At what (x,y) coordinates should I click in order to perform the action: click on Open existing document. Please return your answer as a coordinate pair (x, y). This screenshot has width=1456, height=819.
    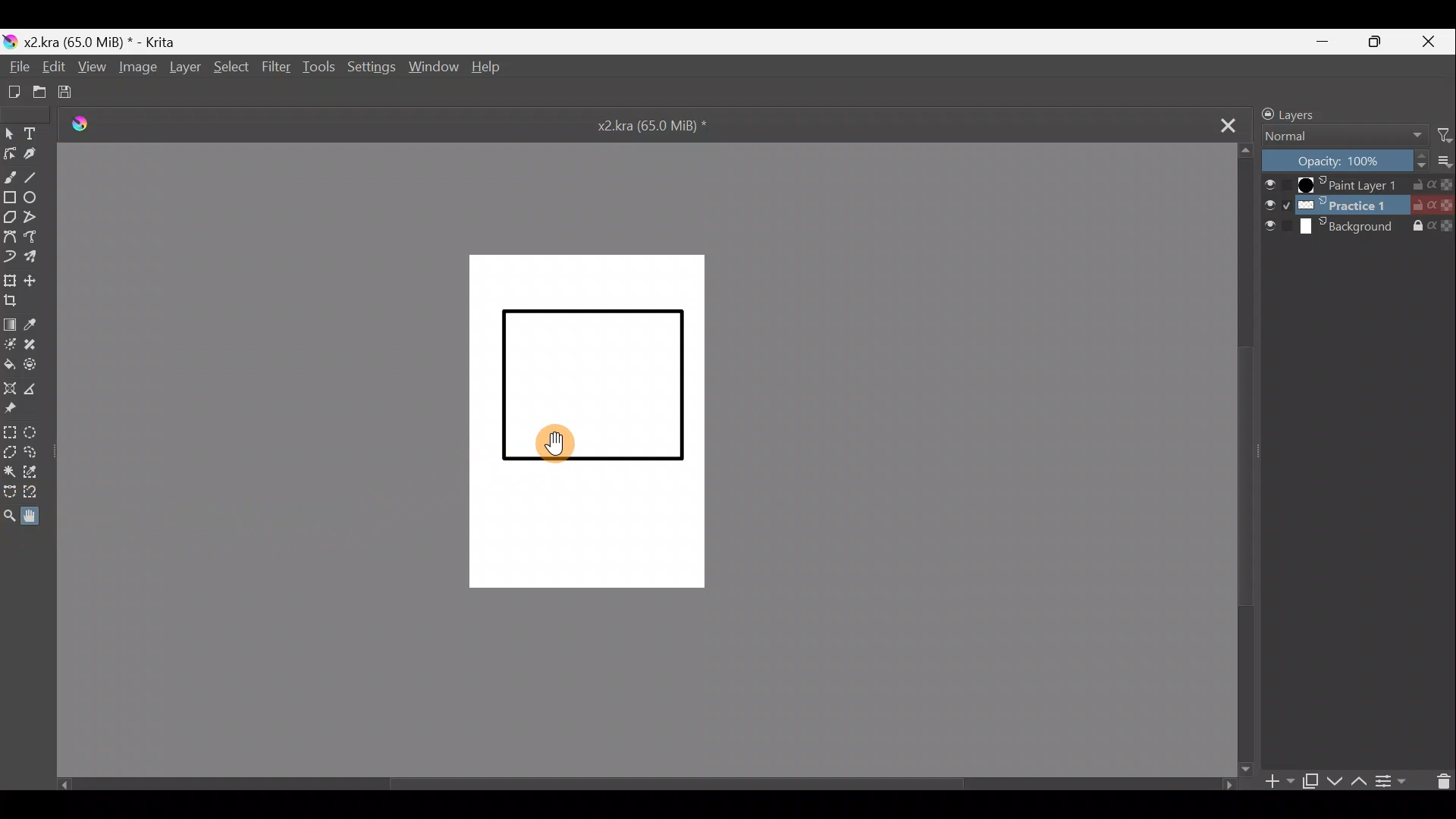
    Looking at the image, I should click on (40, 93).